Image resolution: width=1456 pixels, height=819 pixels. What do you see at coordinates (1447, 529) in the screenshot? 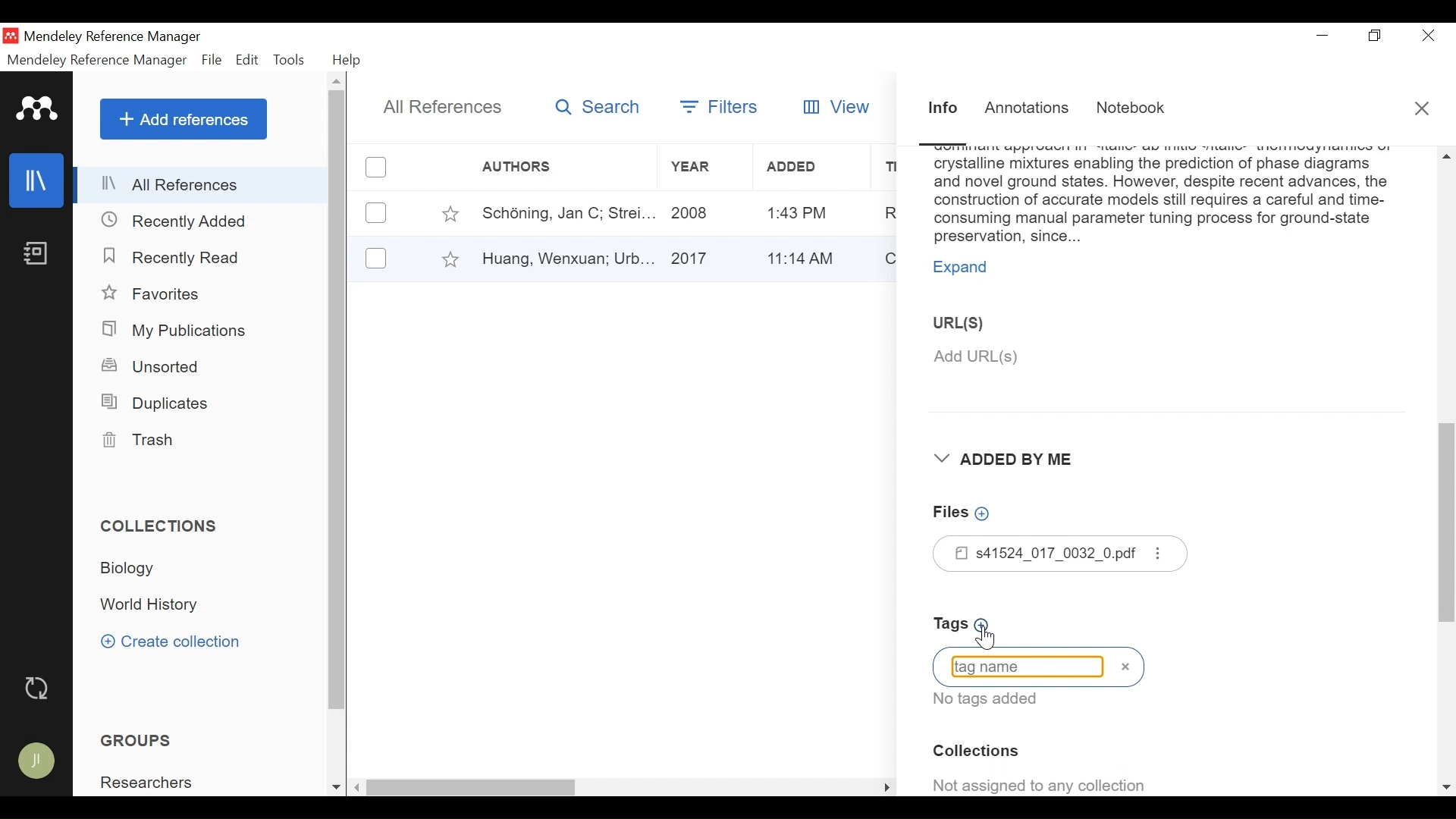
I see `Vertical Scroll bar` at bounding box center [1447, 529].